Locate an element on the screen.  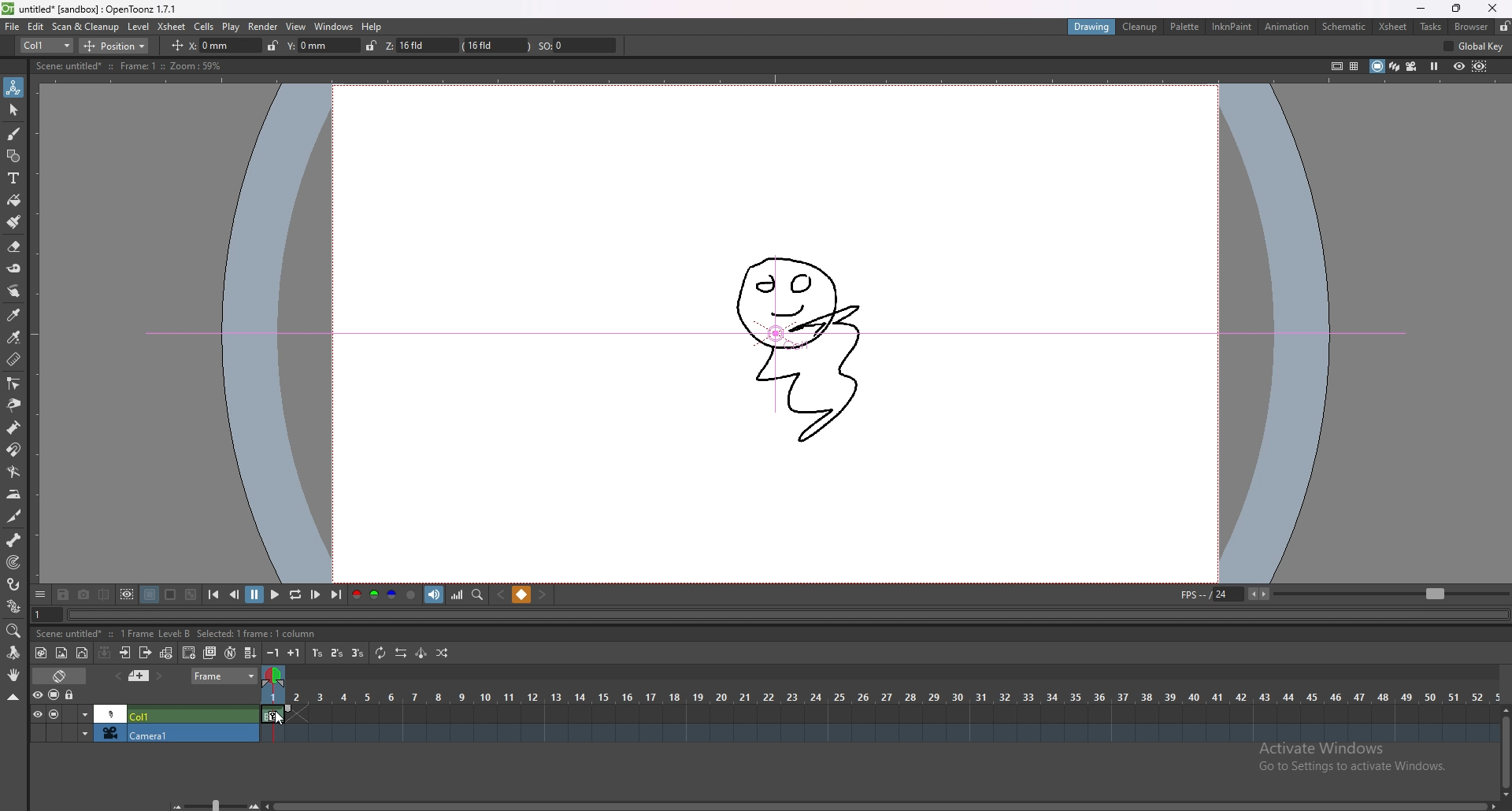
cutter is located at coordinates (14, 517).